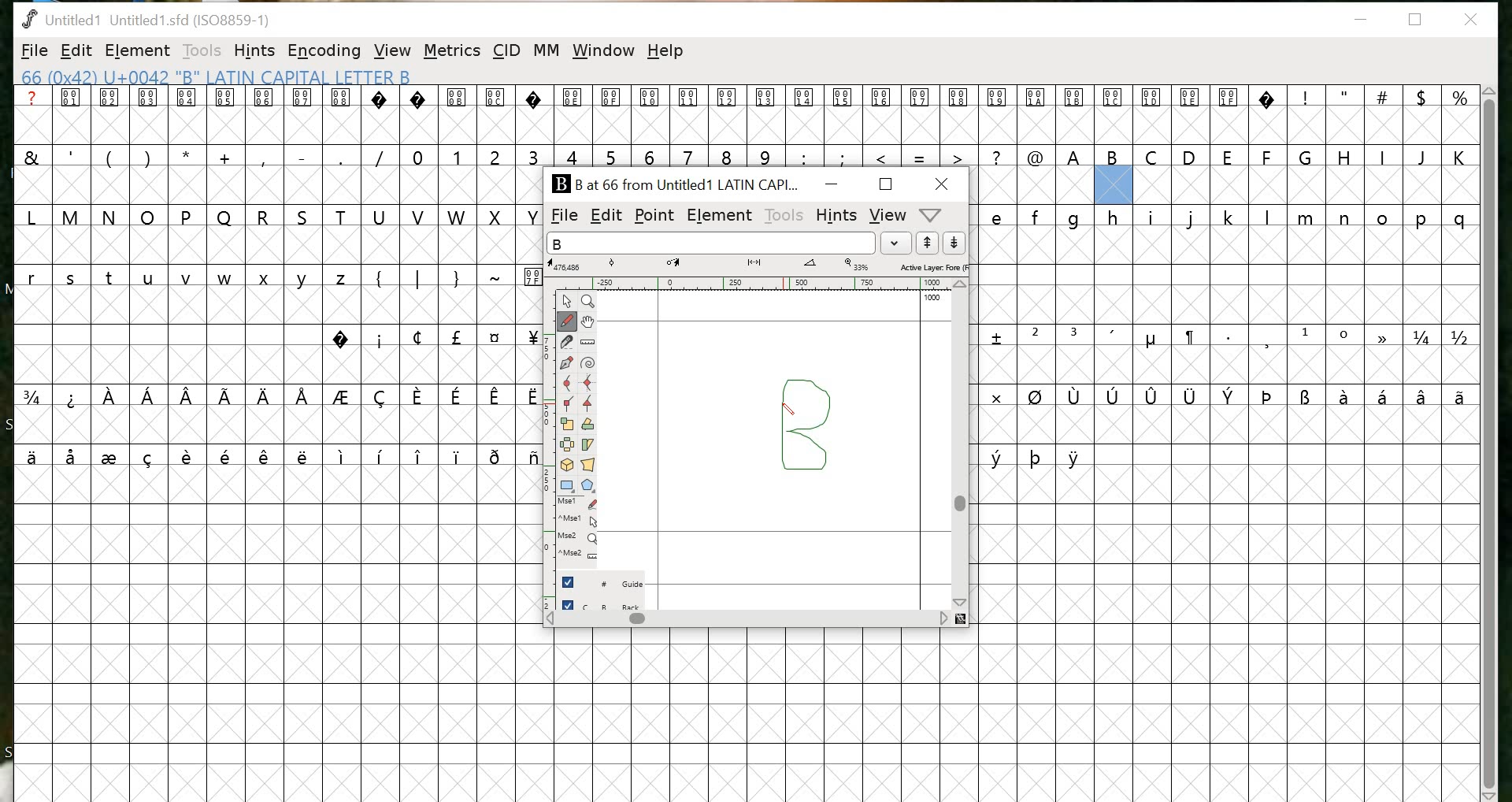 Image resolution: width=1512 pixels, height=802 pixels. I want to click on metrics window help, so click(932, 215).